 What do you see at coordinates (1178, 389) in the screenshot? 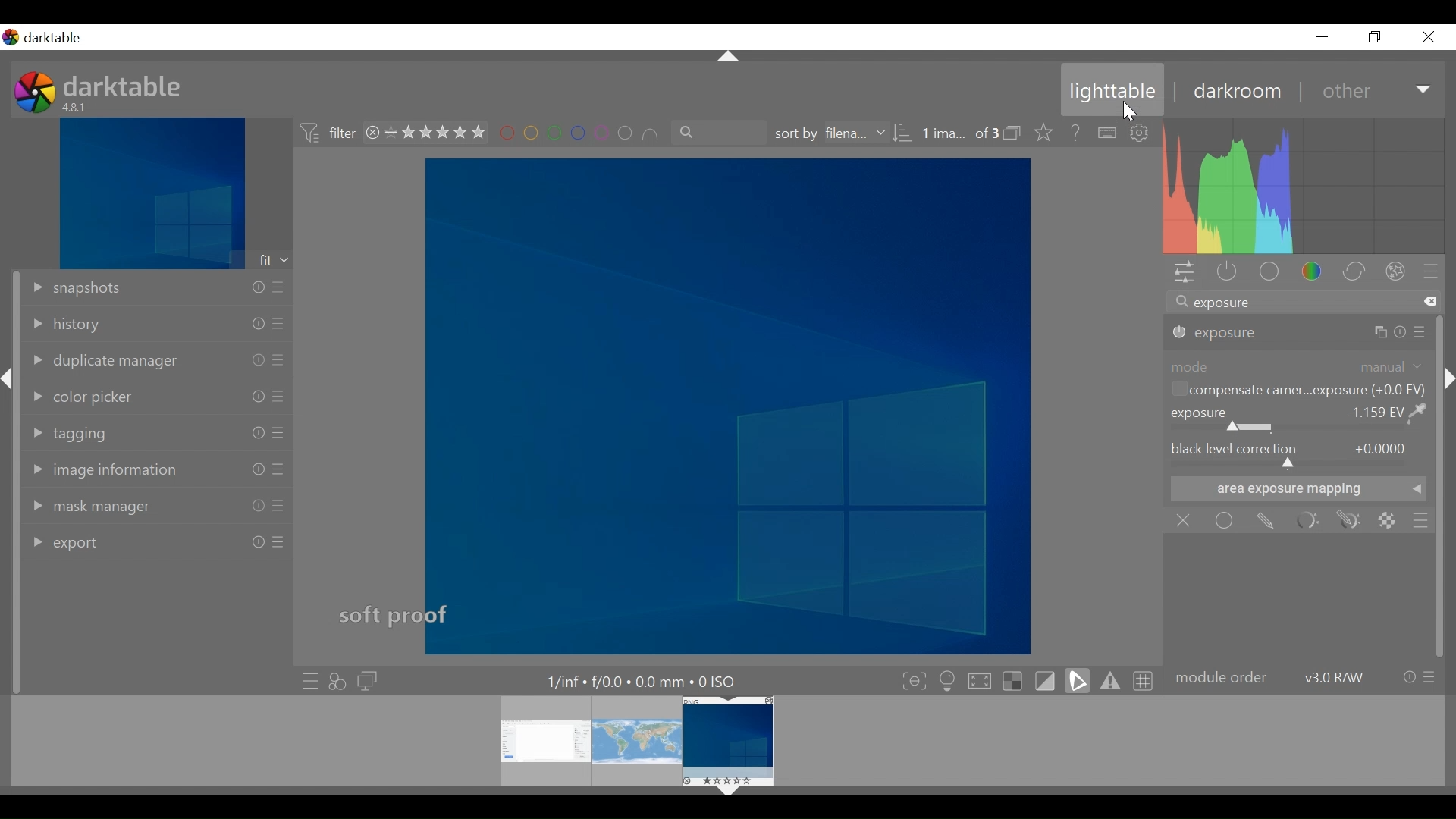
I see `Checkbox` at bounding box center [1178, 389].